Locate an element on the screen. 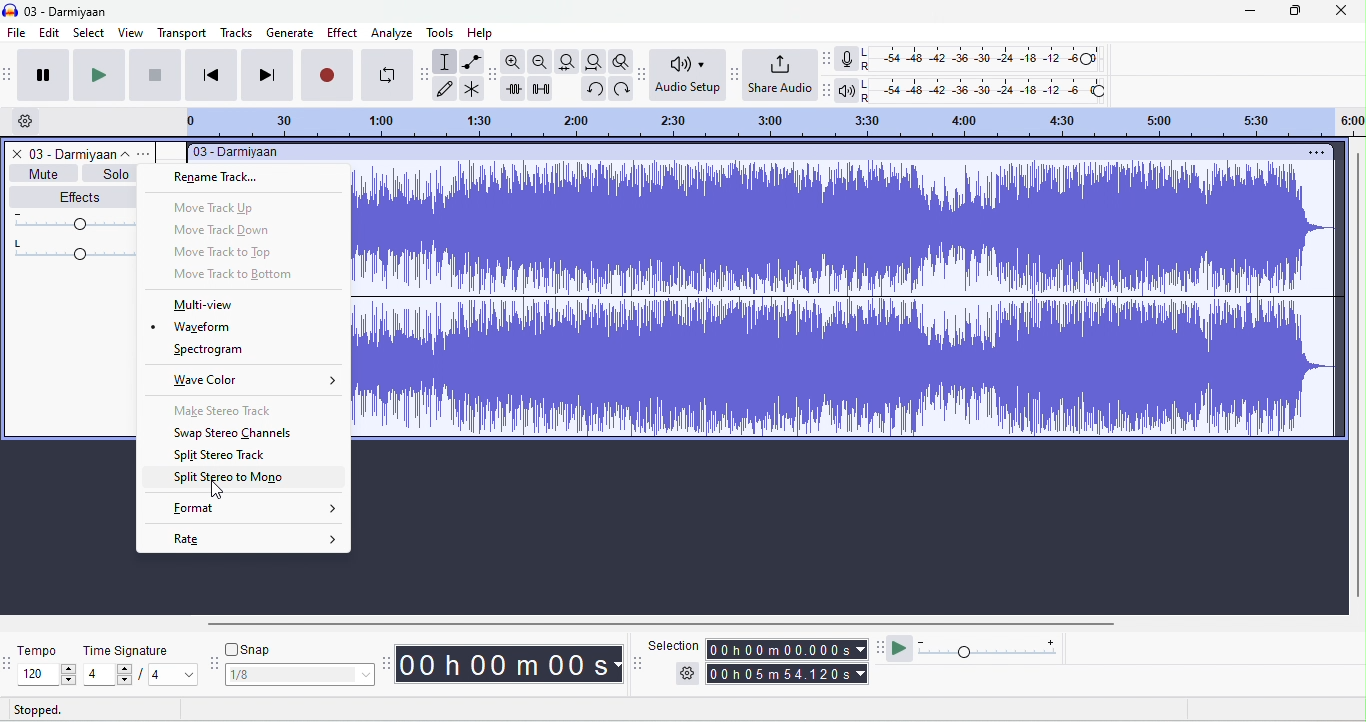 The height and width of the screenshot is (722, 1366). toggle zoom is located at coordinates (622, 62).